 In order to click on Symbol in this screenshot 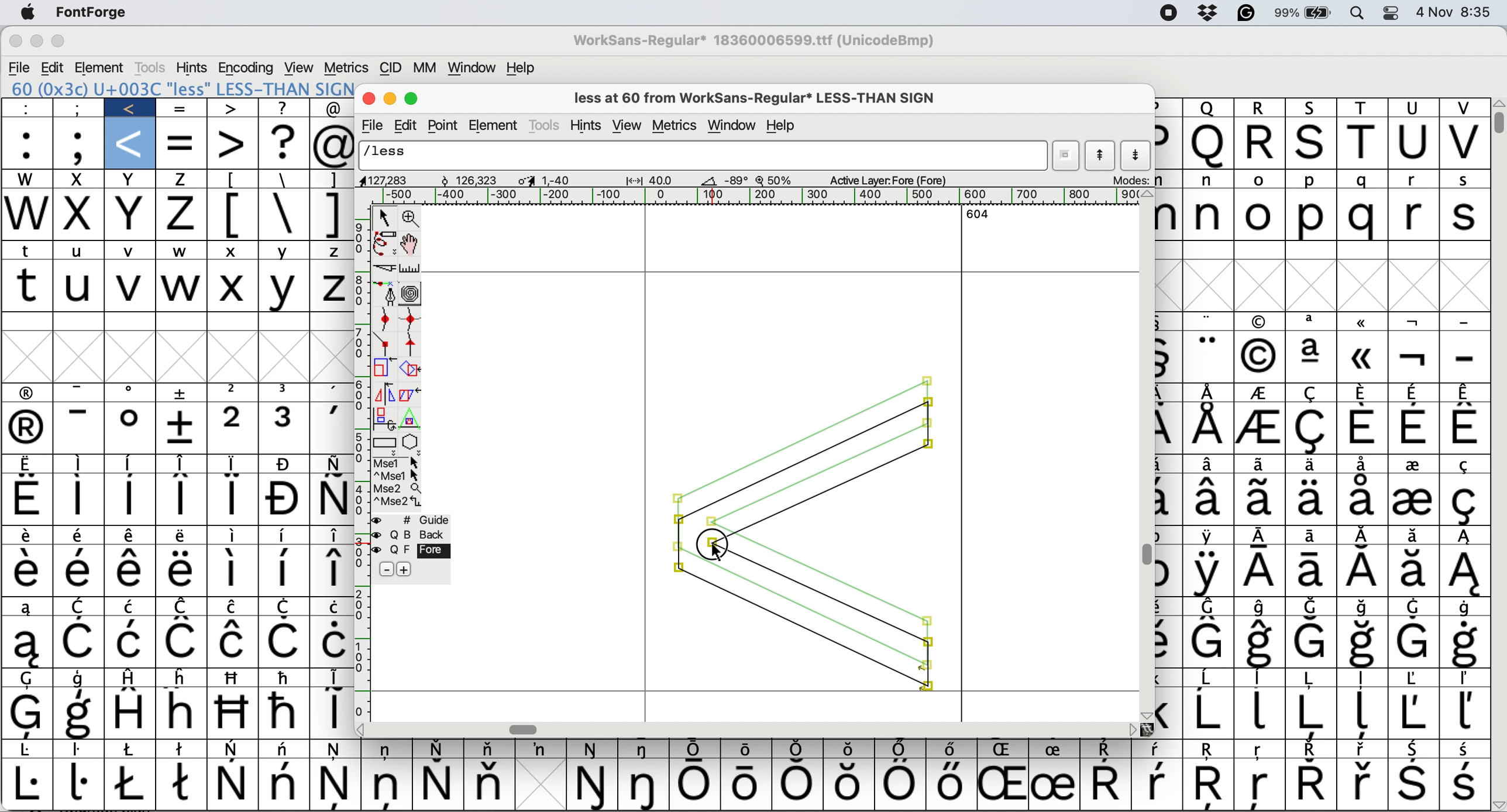, I will do `click(1209, 321)`.